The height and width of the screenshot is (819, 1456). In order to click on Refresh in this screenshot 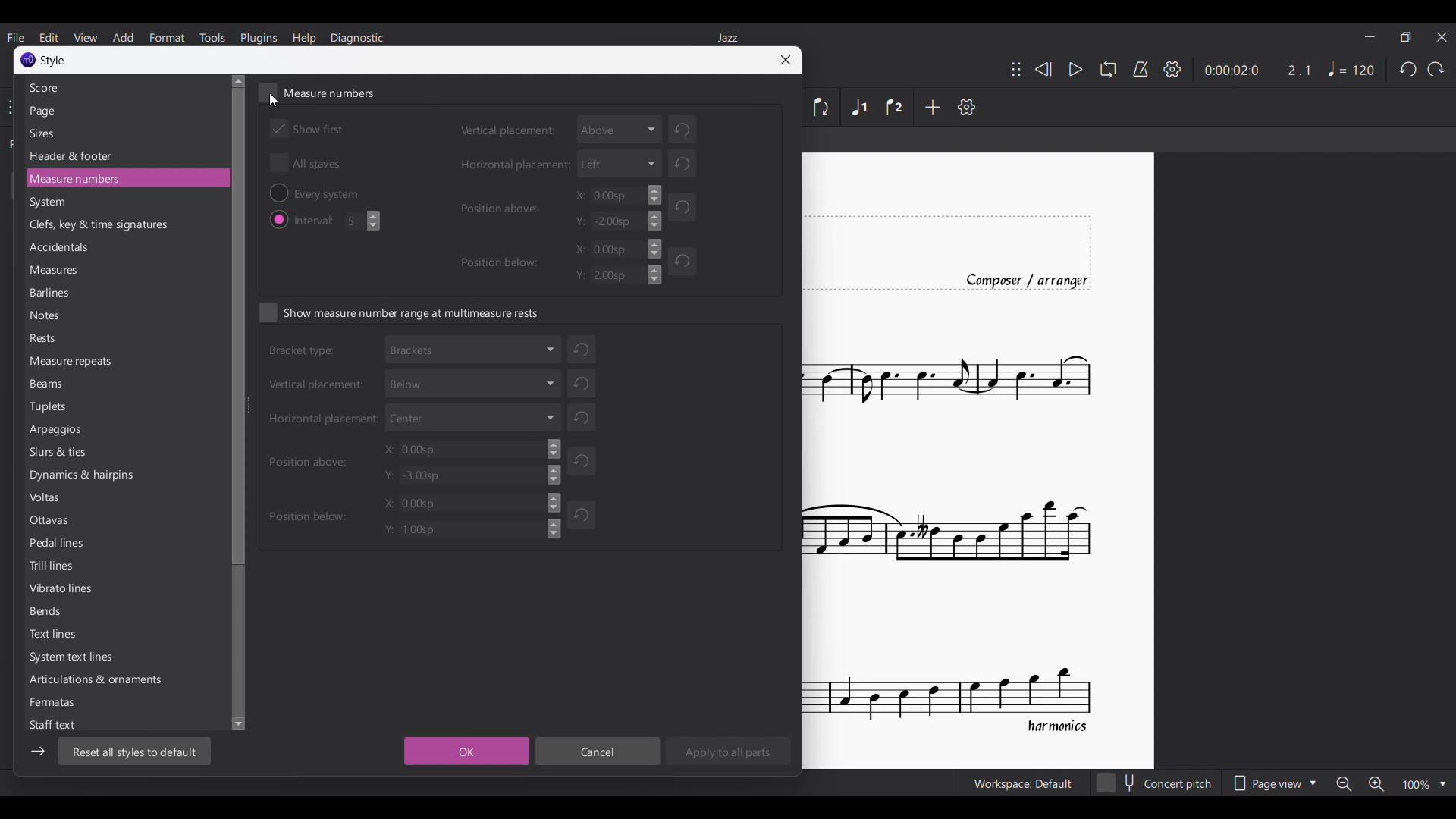, I will do `click(679, 206)`.